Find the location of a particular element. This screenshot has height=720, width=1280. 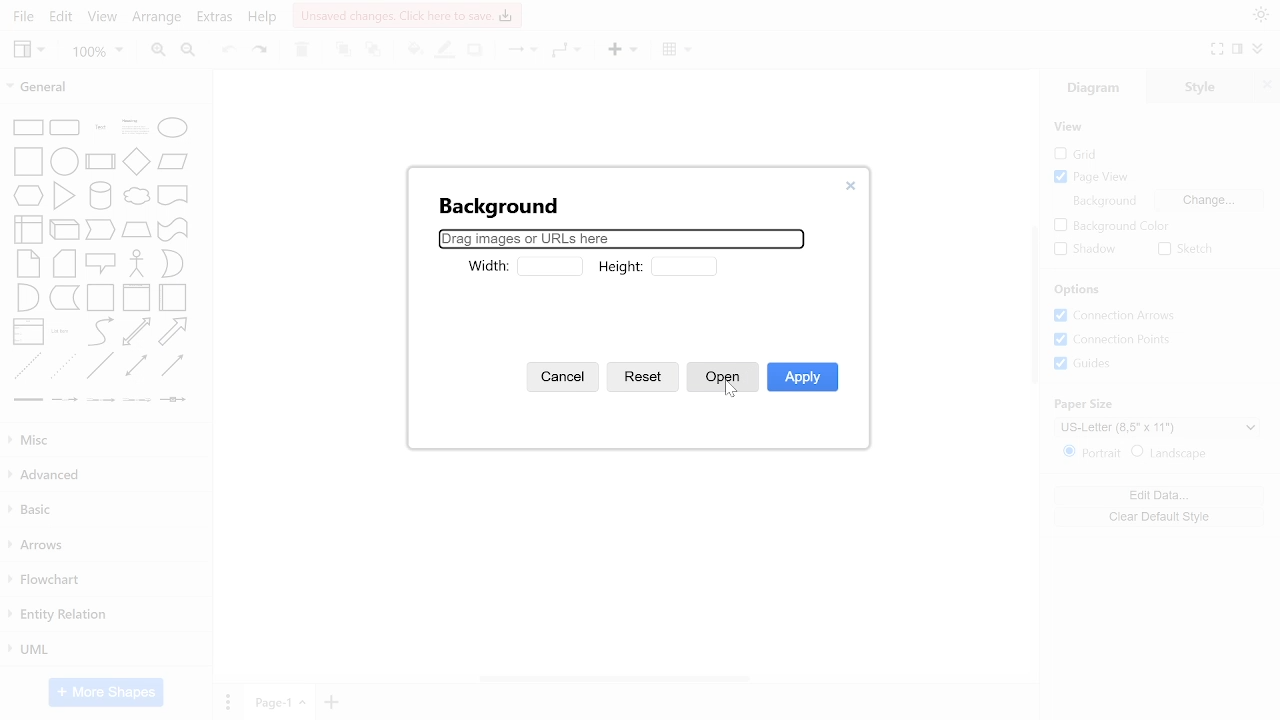

width range box is located at coordinates (549, 267).